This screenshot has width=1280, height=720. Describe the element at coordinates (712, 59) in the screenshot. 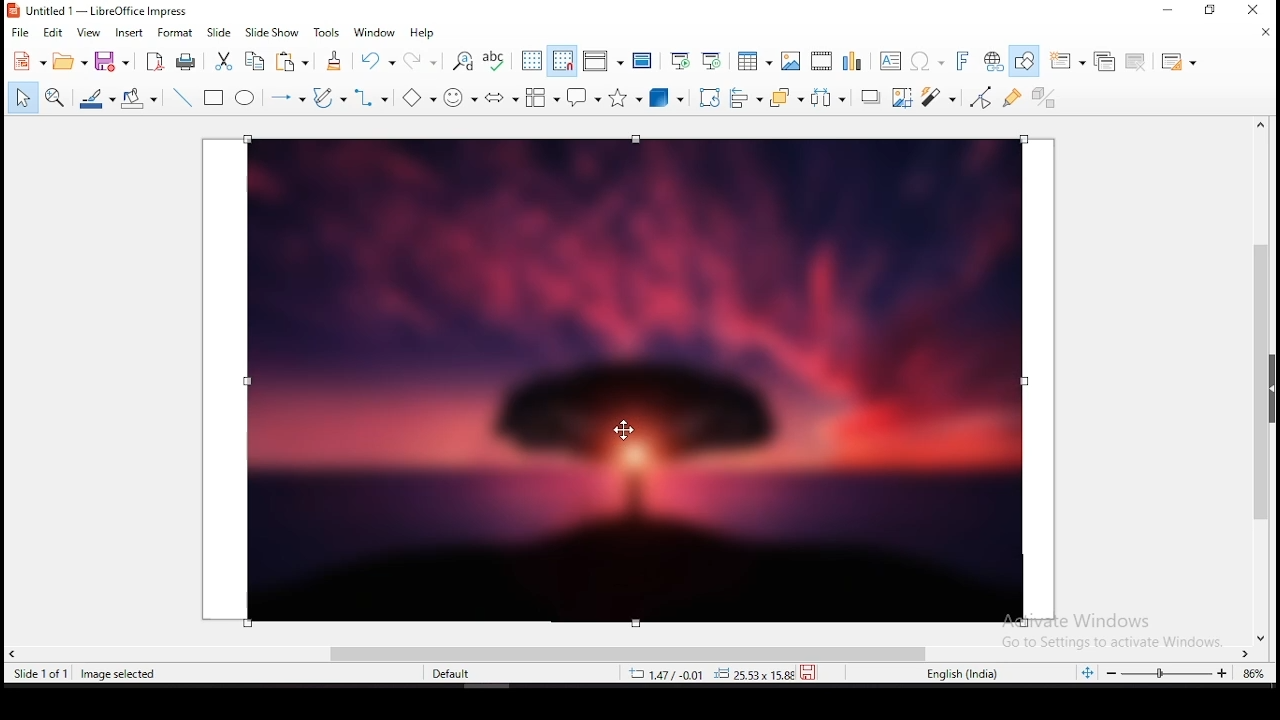

I see `start from current slide` at that location.